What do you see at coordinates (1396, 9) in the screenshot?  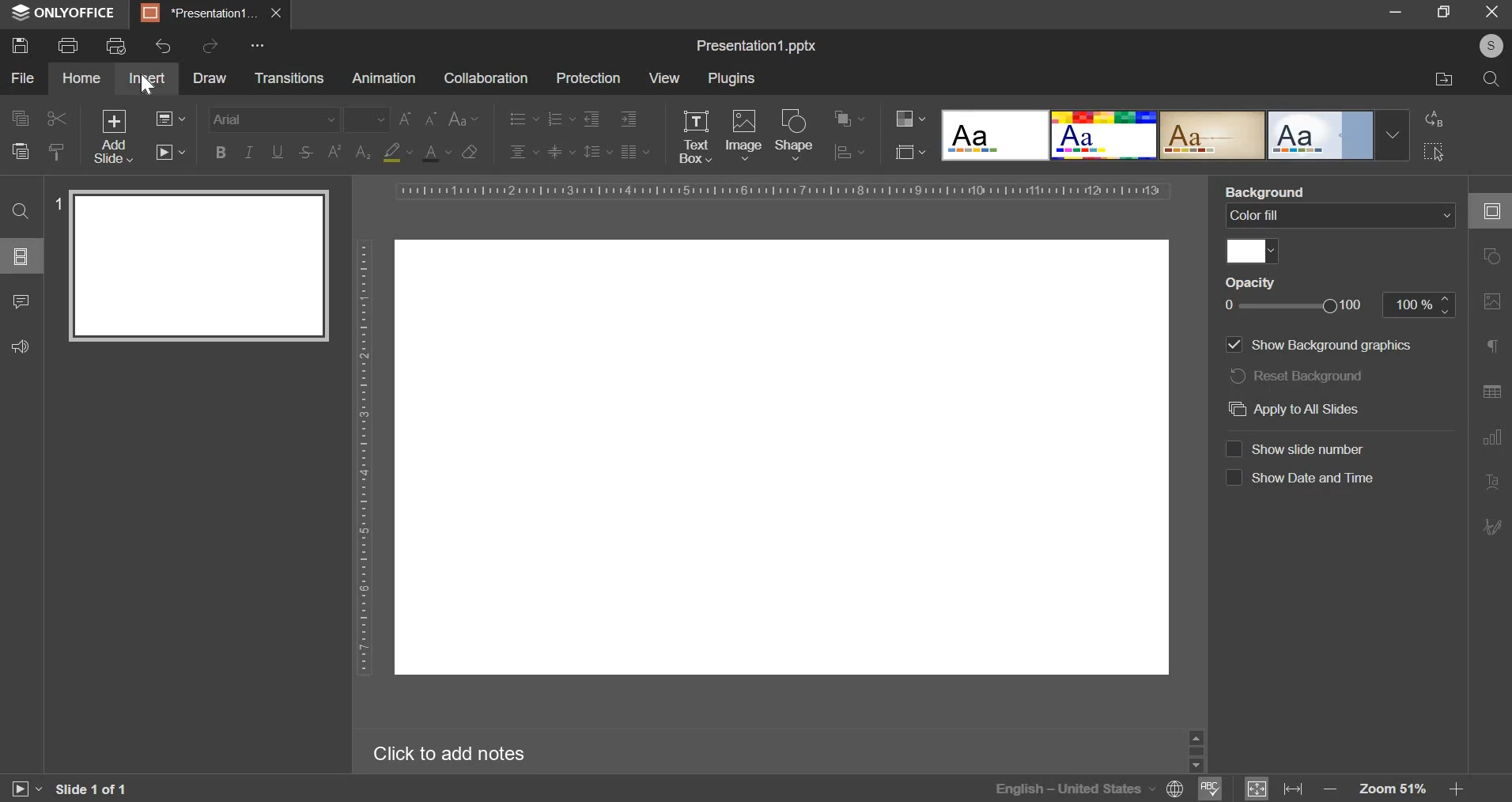 I see `minimize` at bounding box center [1396, 9].